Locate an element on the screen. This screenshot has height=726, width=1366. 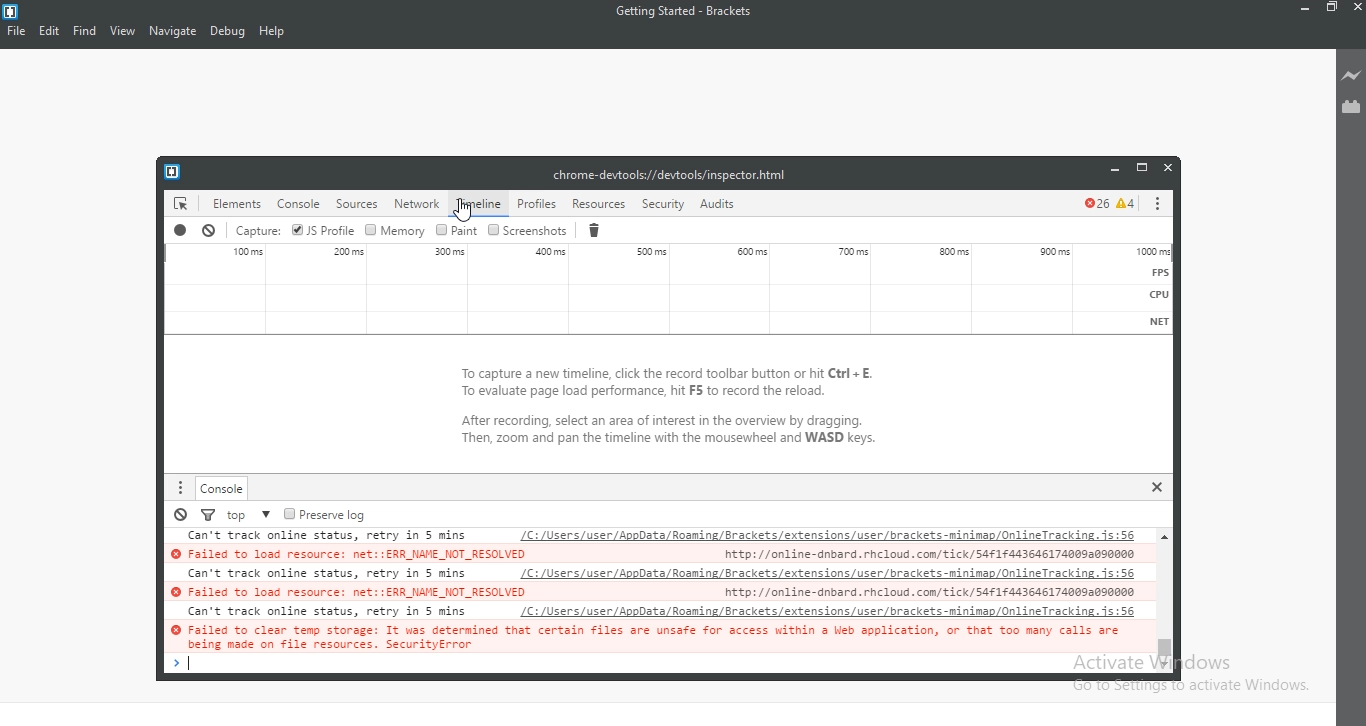
Help is located at coordinates (271, 32).